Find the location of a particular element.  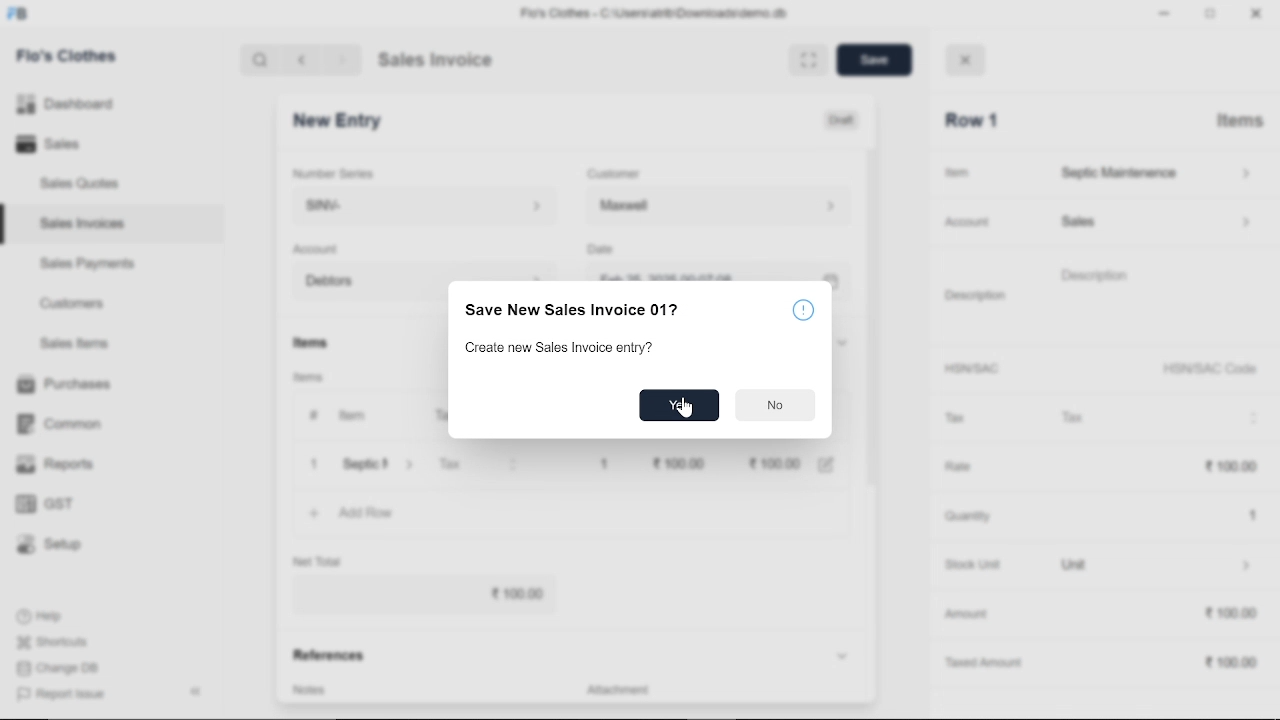

Yes is located at coordinates (678, 406).